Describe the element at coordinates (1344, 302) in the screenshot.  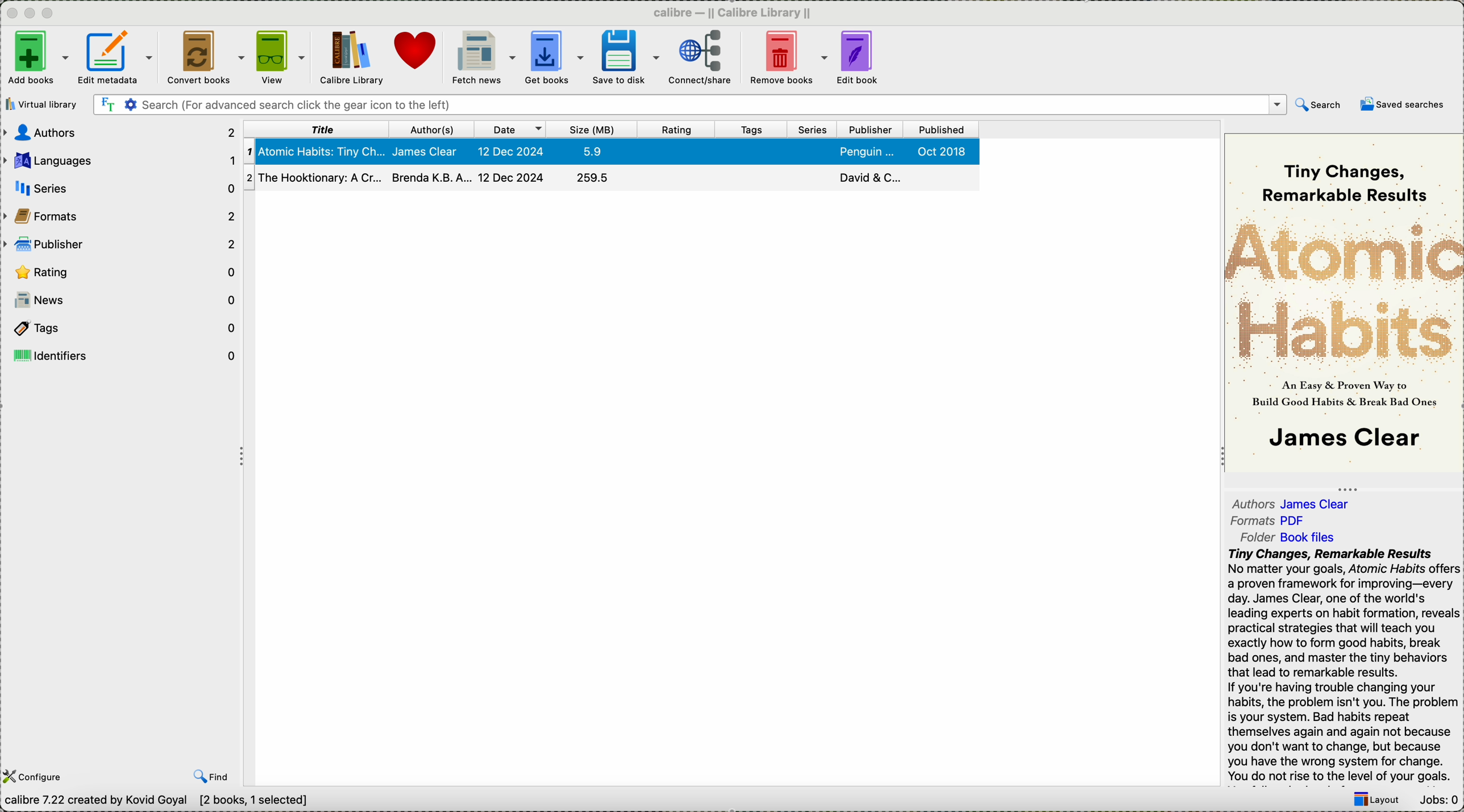
I see `book cover preview` at that location.